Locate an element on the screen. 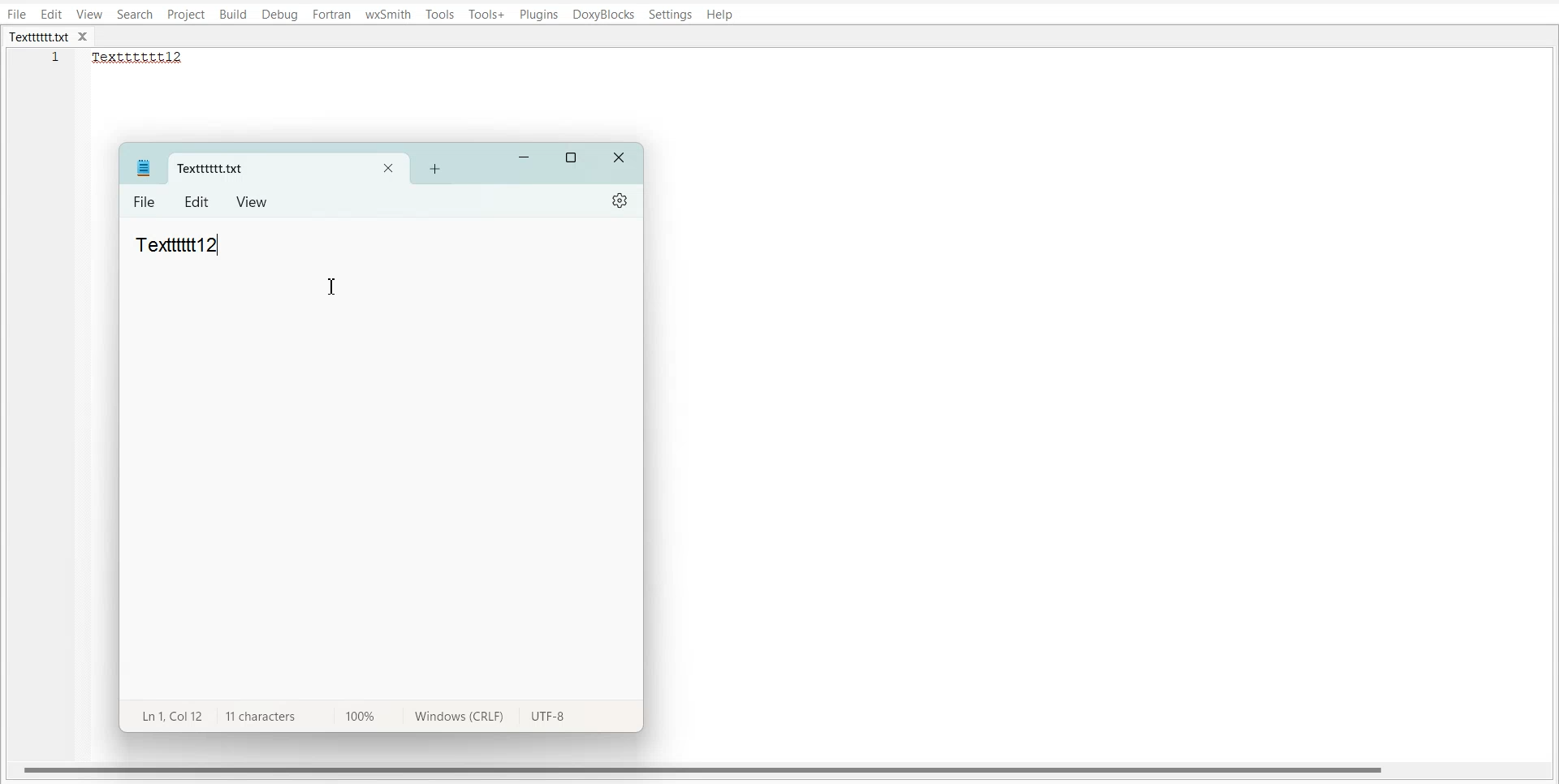 The width and height of the screenshot is (1559, 784). Maximize is located at coordinates (572, 158).